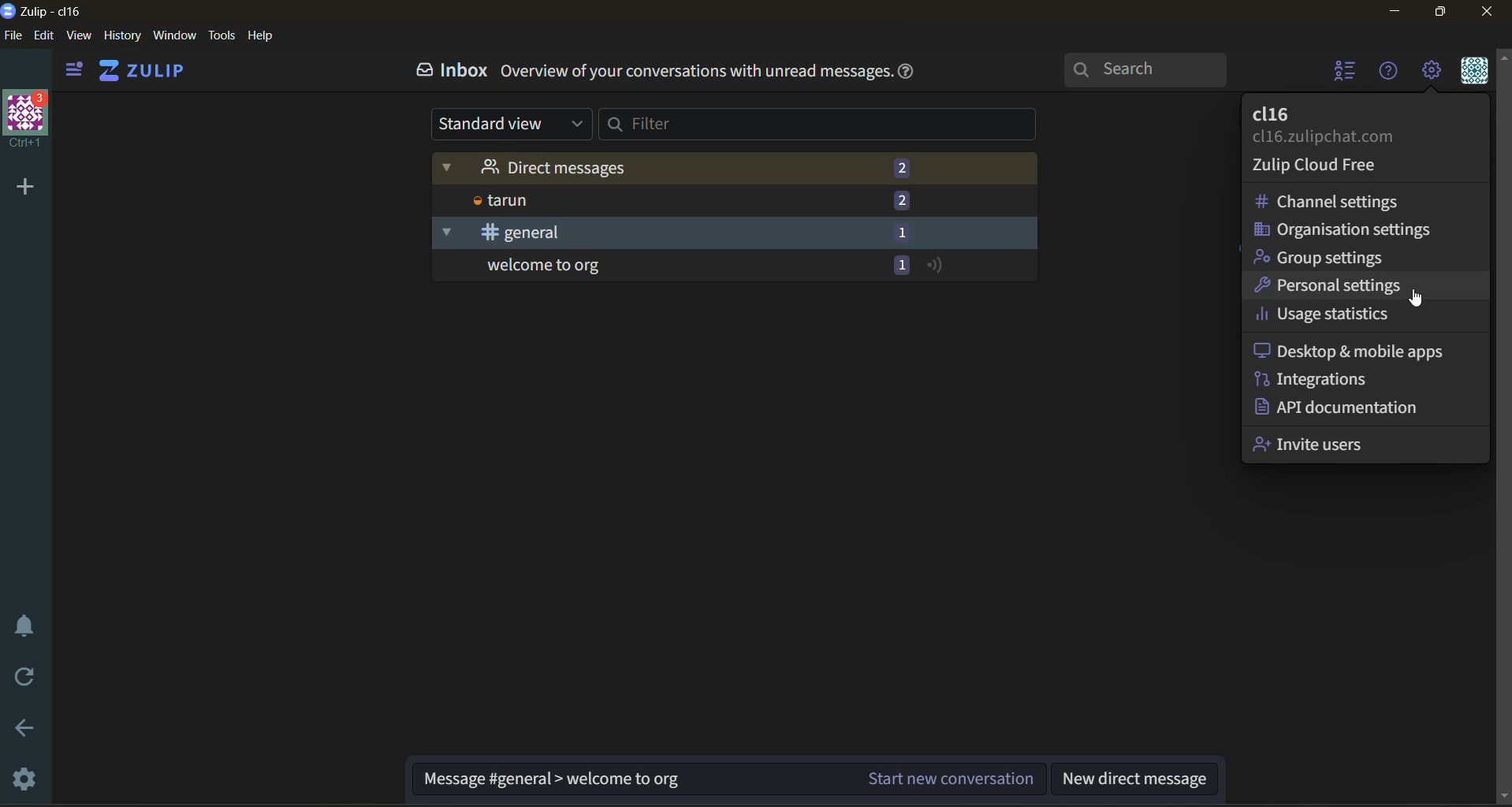 Image resolution: width=1512 pixels, height=807 pixels. Describe the element at coordinates (450, 72) in the screenshot. I see `inbox` at that location.